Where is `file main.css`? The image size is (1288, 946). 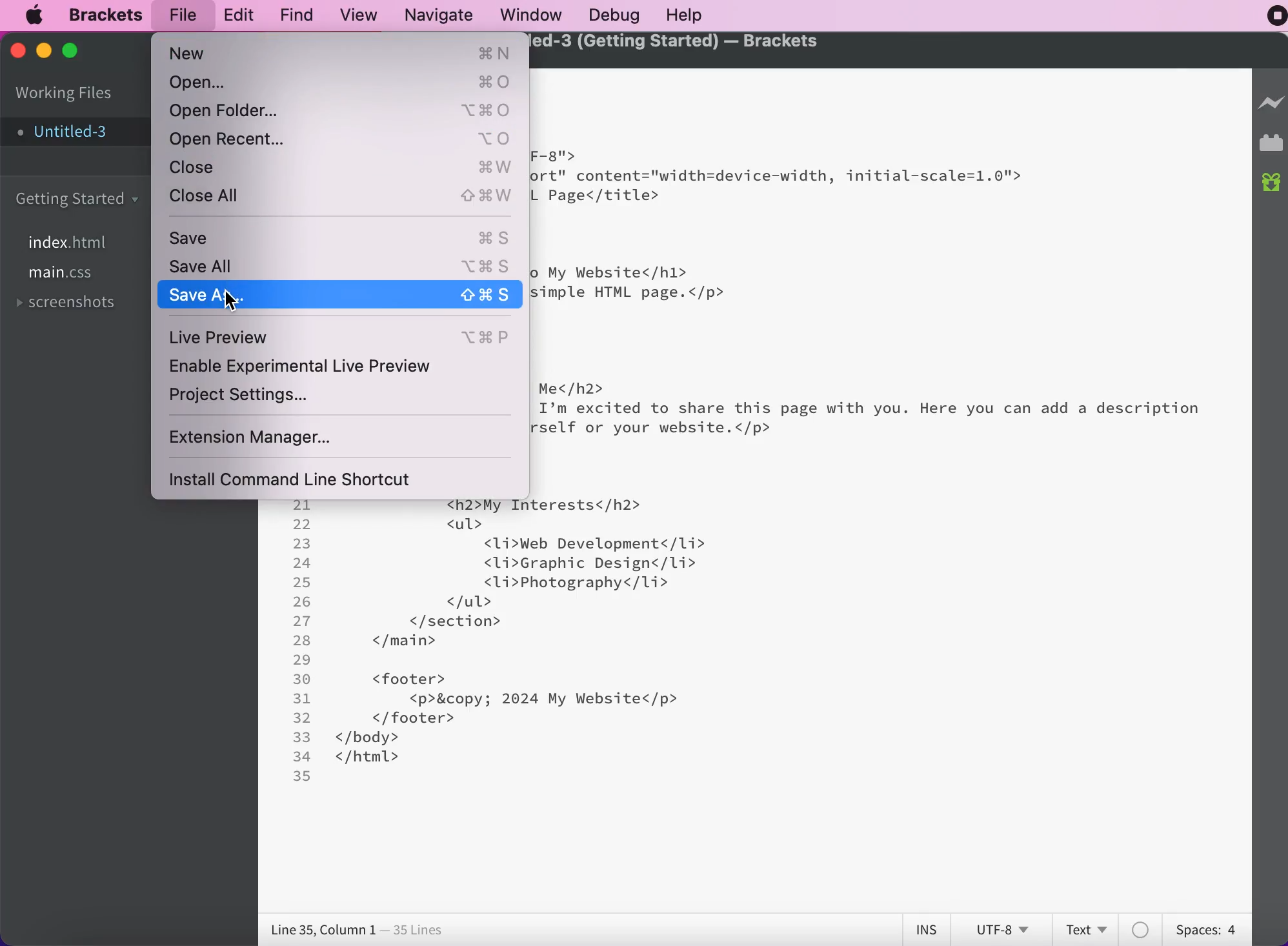
file main.css is located at coordinates (66, 274).